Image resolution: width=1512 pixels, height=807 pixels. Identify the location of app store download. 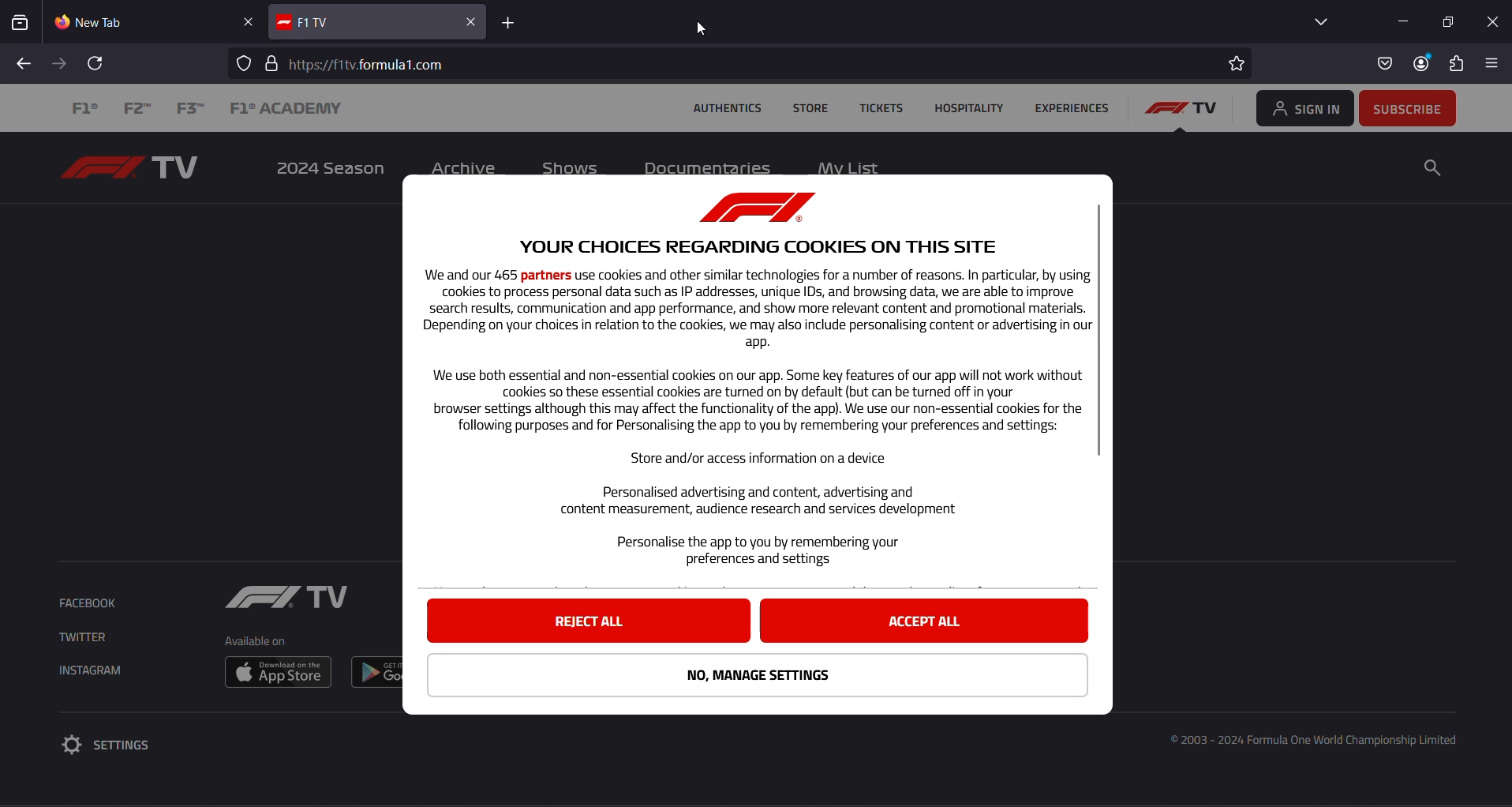
(277, 672).